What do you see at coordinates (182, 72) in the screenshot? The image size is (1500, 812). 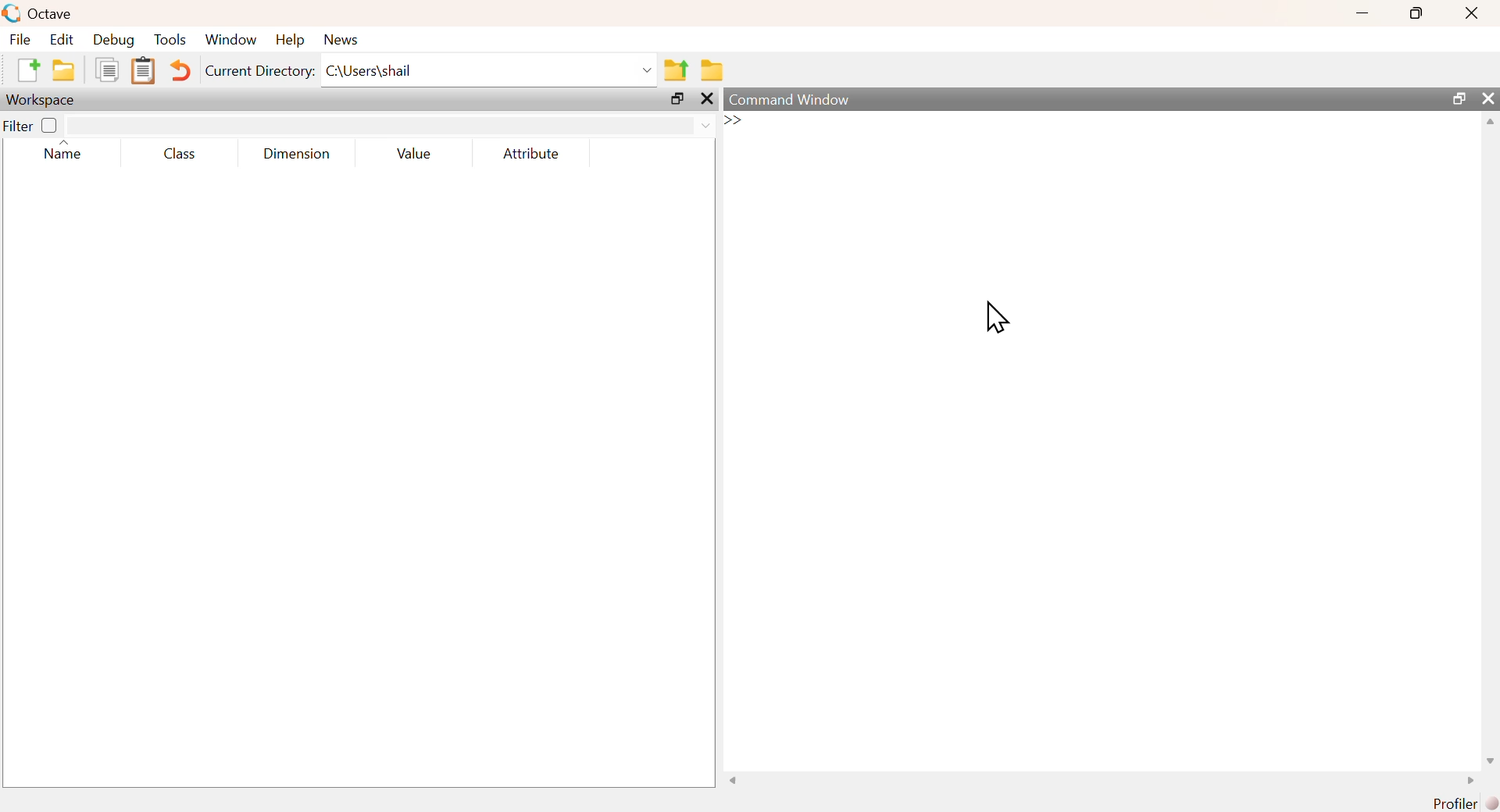 I see `Undo` at bounding box center [182, 72].